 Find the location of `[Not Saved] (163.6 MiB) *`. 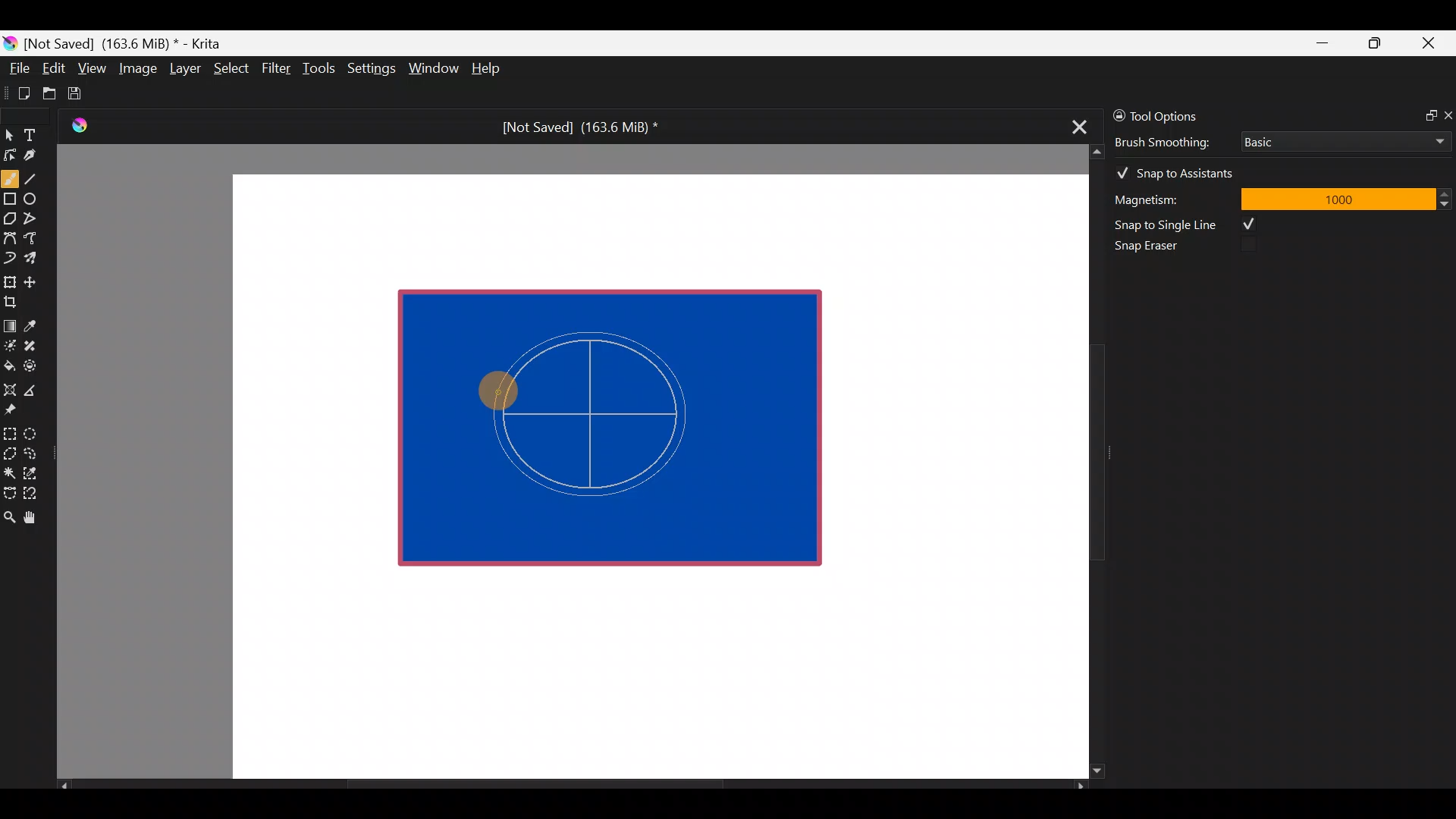

[Not Saved] (163.6 MiB) * is located at coordinates (574, 127).